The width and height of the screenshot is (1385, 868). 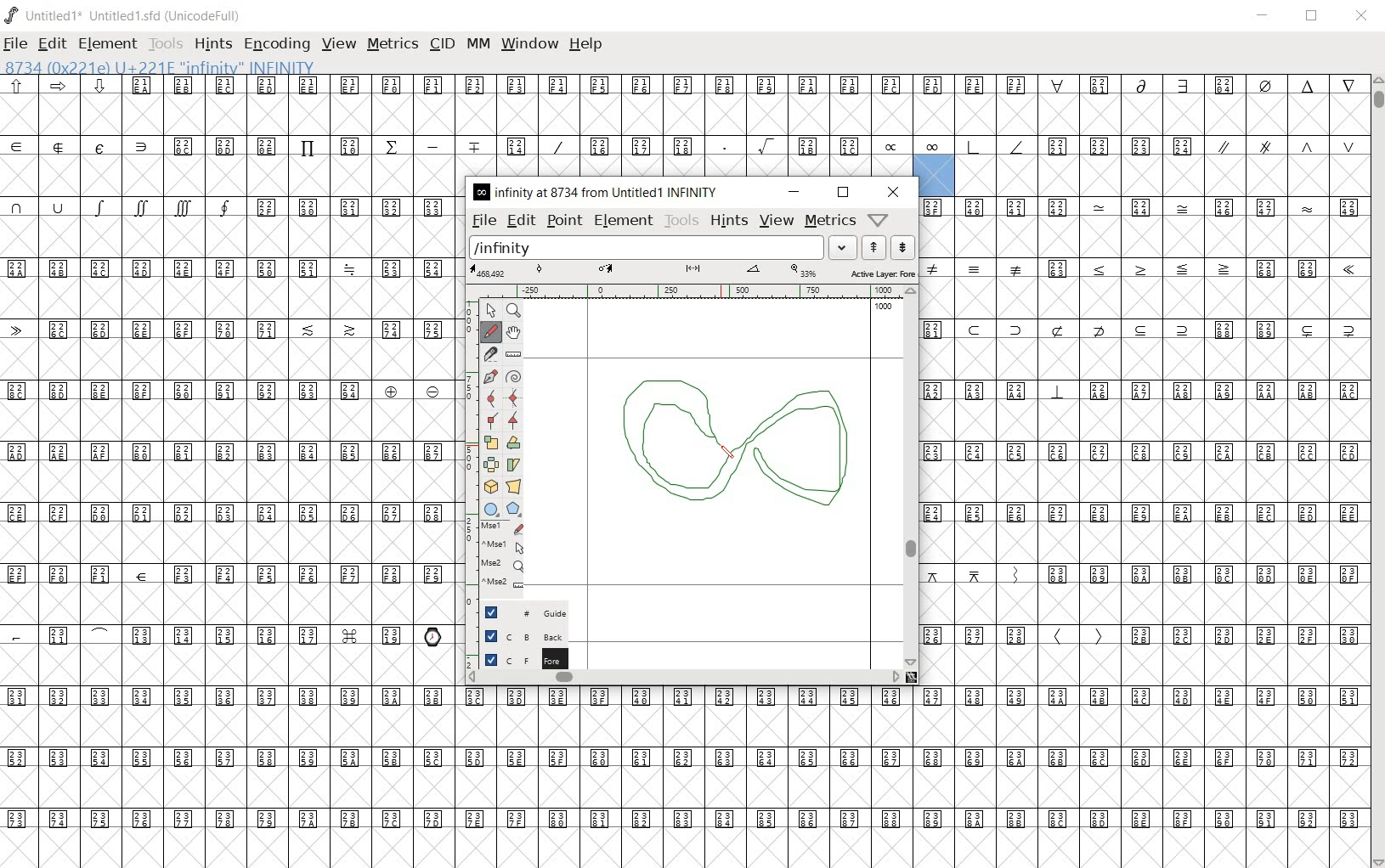 What do you see at coordinates (515, 312) in the screenshot?
I see `MAGNIFY` at bounding box center [515, 312].